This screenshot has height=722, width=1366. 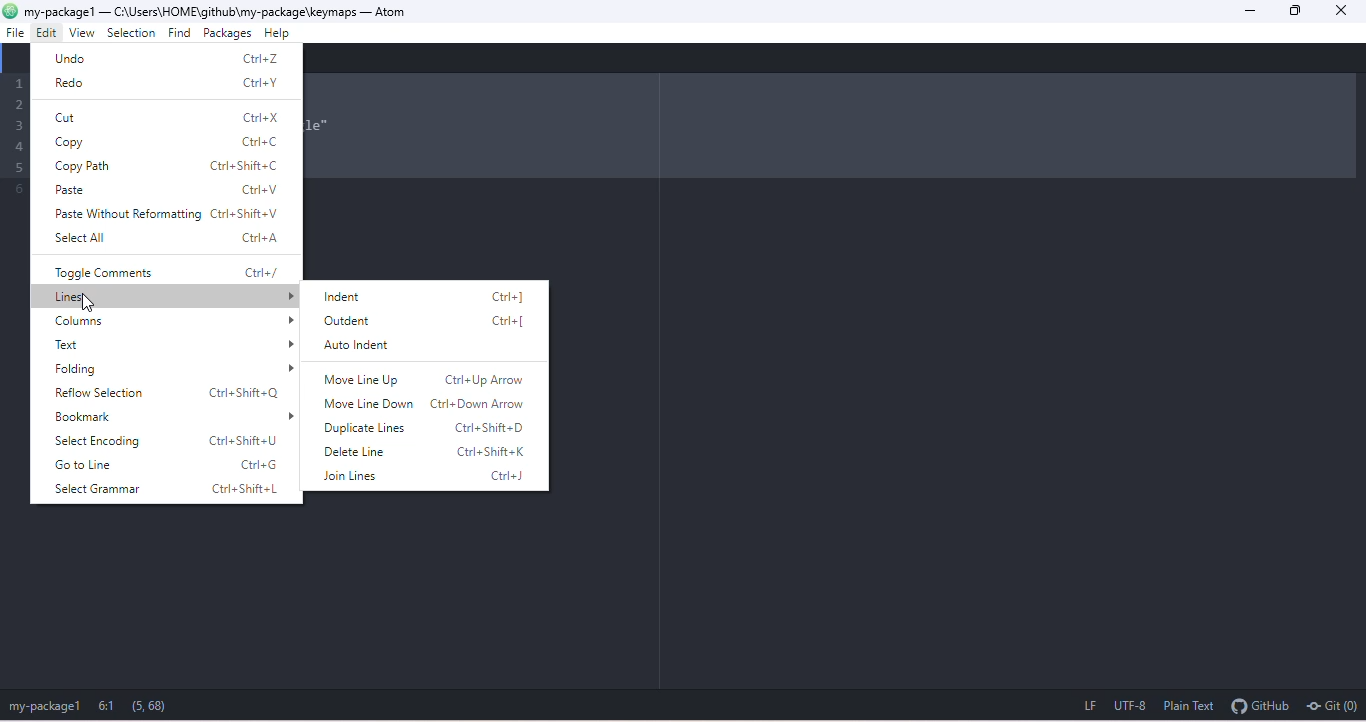 I want to click on atom logo, so click(x=11, y=12).